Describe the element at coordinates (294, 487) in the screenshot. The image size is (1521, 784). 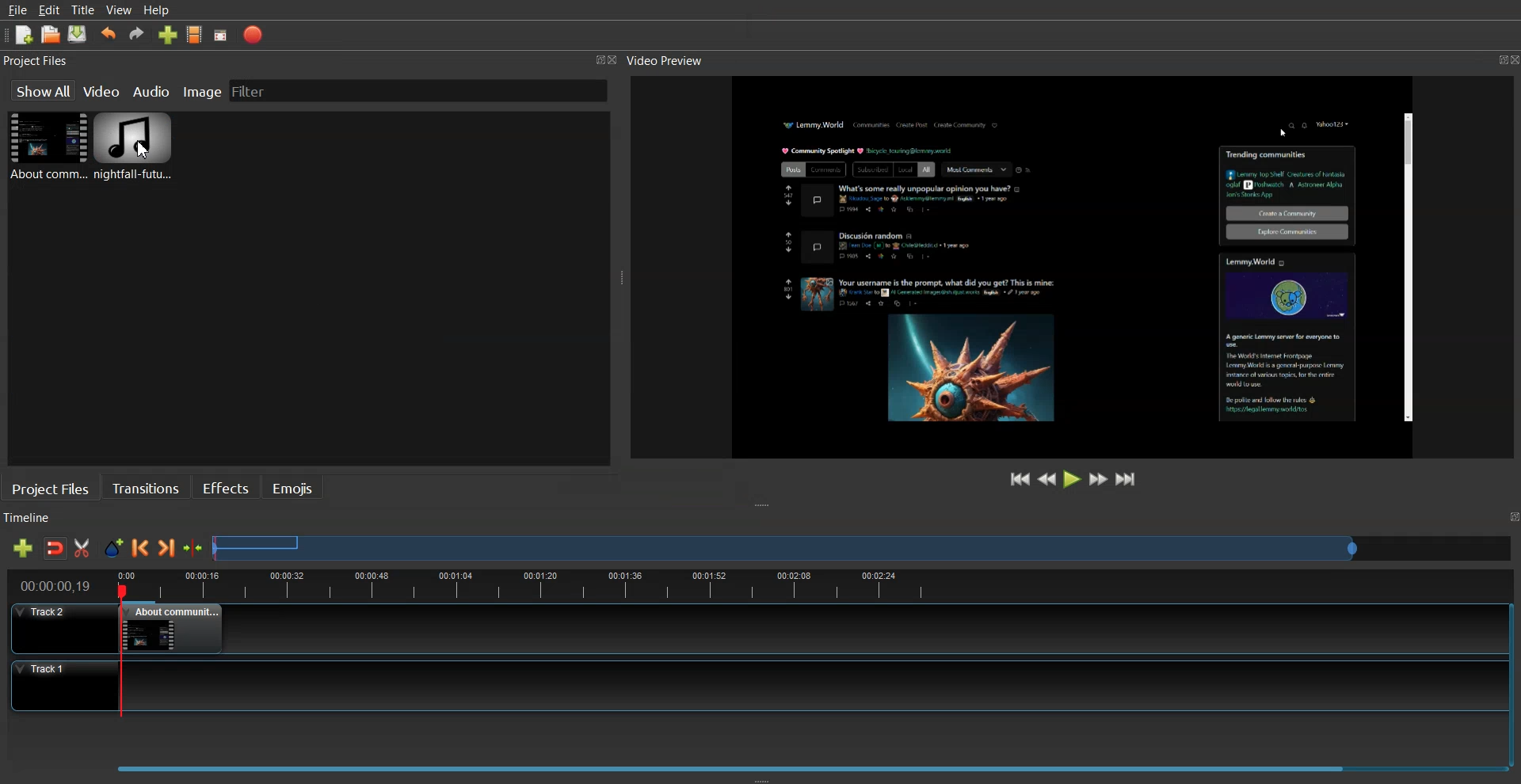
I see `Emojis` at that location.